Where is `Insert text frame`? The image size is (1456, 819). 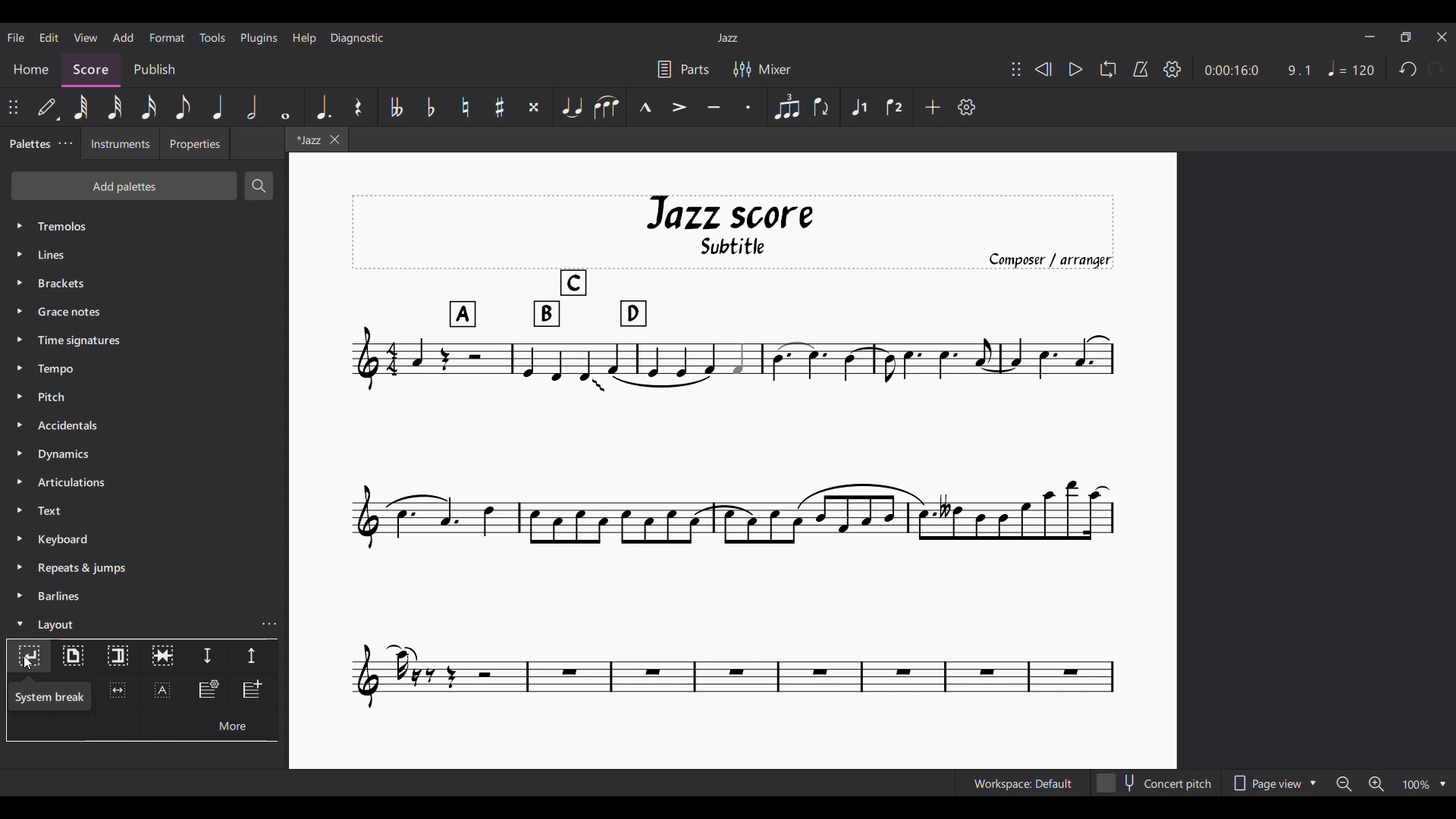 Insert text frame is located at coordinates (162, 690).